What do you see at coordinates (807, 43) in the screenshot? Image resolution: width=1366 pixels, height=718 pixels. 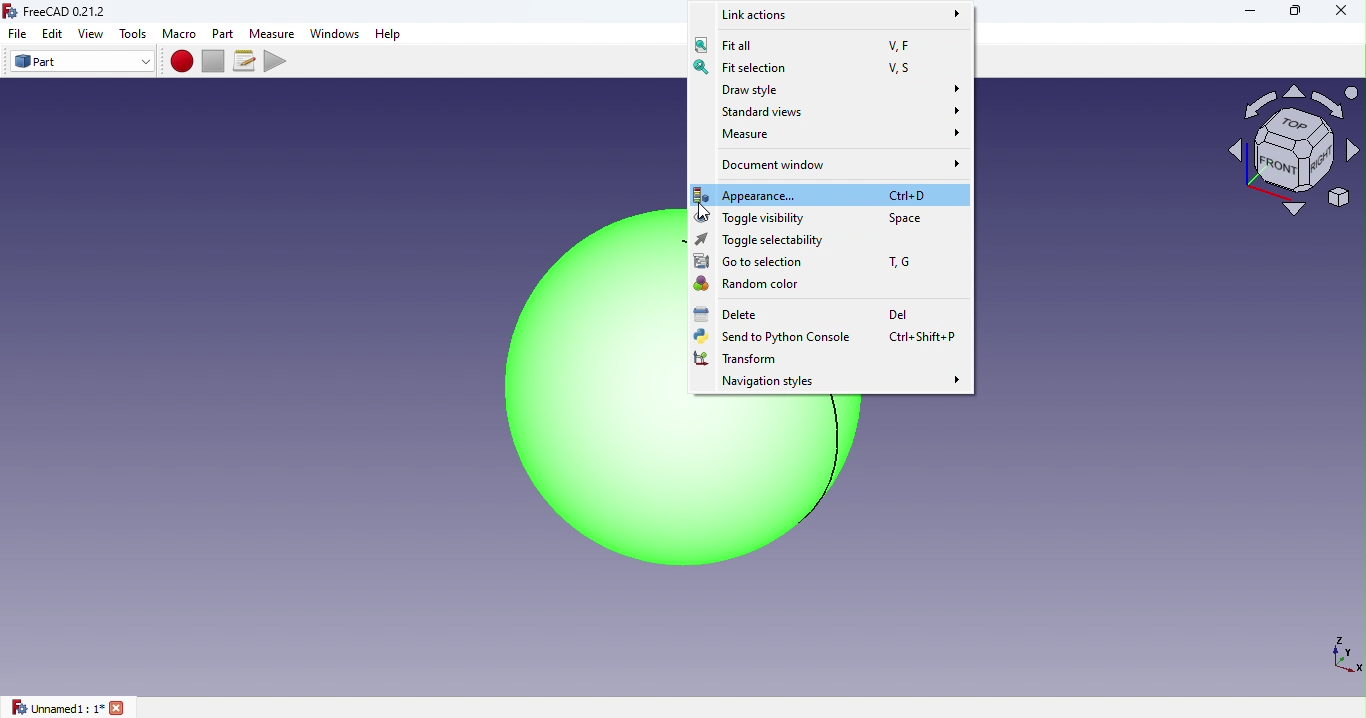 I see `Fit all` at bounding box center [807, 43].